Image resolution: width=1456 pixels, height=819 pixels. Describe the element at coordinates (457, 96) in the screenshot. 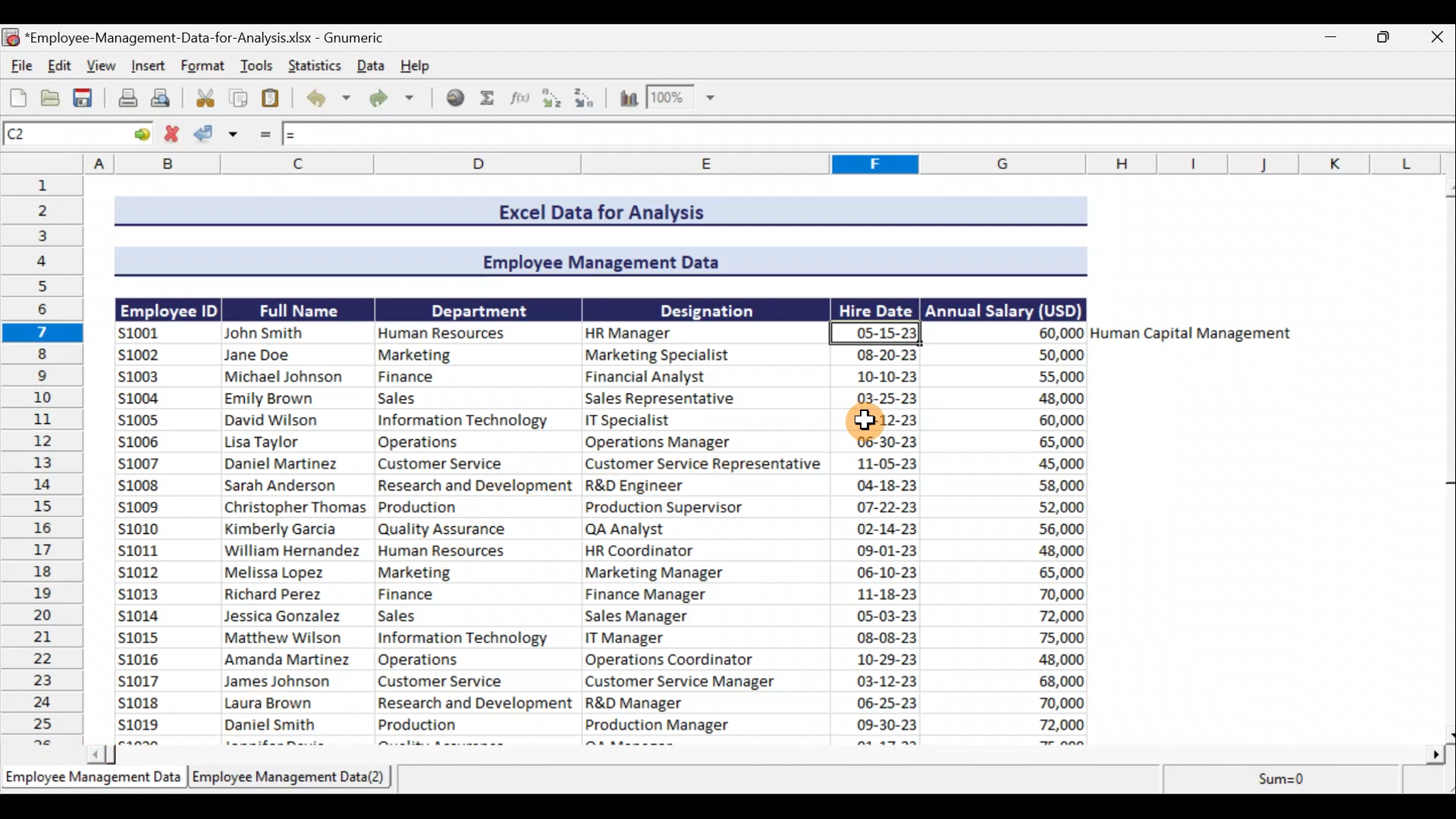

I see `Insert hyperlink` at that location.